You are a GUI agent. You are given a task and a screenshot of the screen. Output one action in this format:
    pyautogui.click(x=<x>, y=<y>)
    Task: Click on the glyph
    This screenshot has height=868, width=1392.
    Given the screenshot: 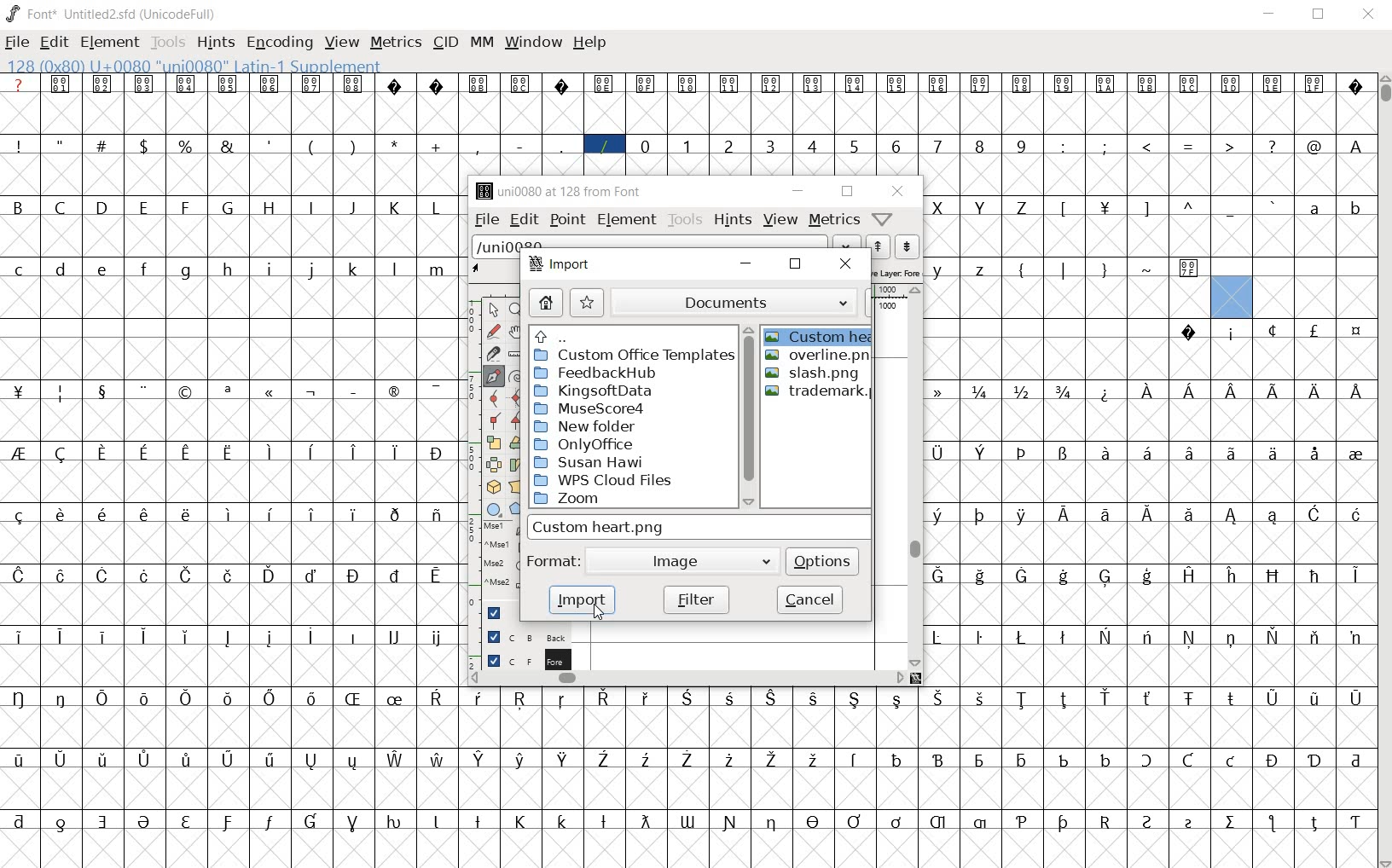 What is the action you would take?
    pyautogui.click(x=1232, y=84)
    